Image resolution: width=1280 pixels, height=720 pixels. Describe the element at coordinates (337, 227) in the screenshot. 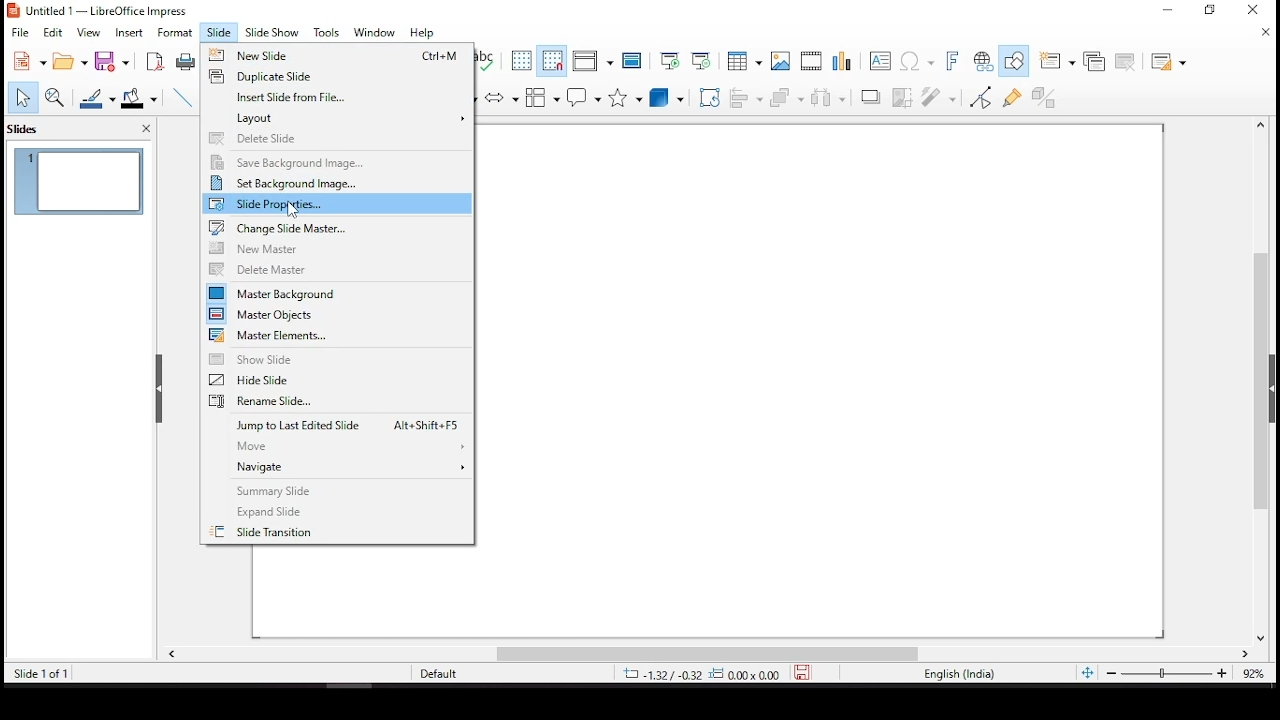

I see ` change slide master` at that location.